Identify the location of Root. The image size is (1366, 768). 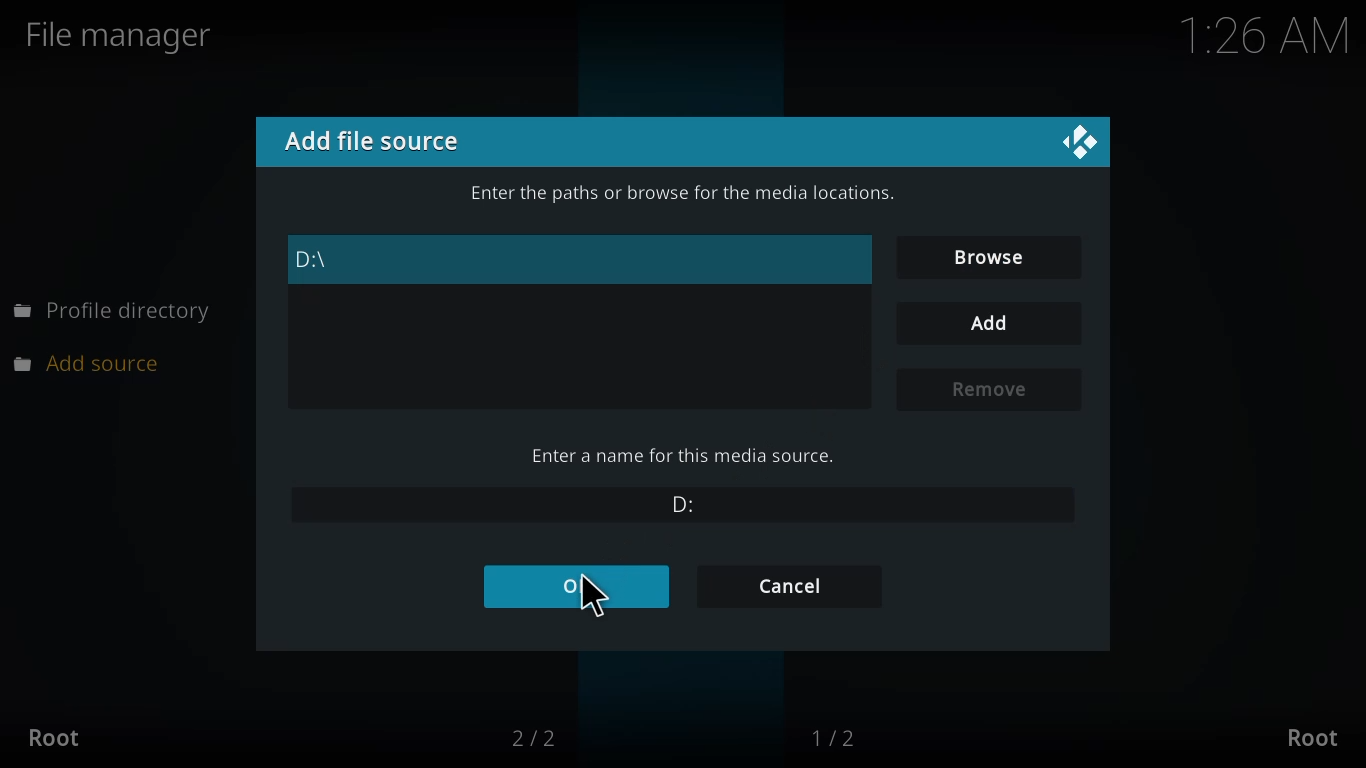
(1318, 737).